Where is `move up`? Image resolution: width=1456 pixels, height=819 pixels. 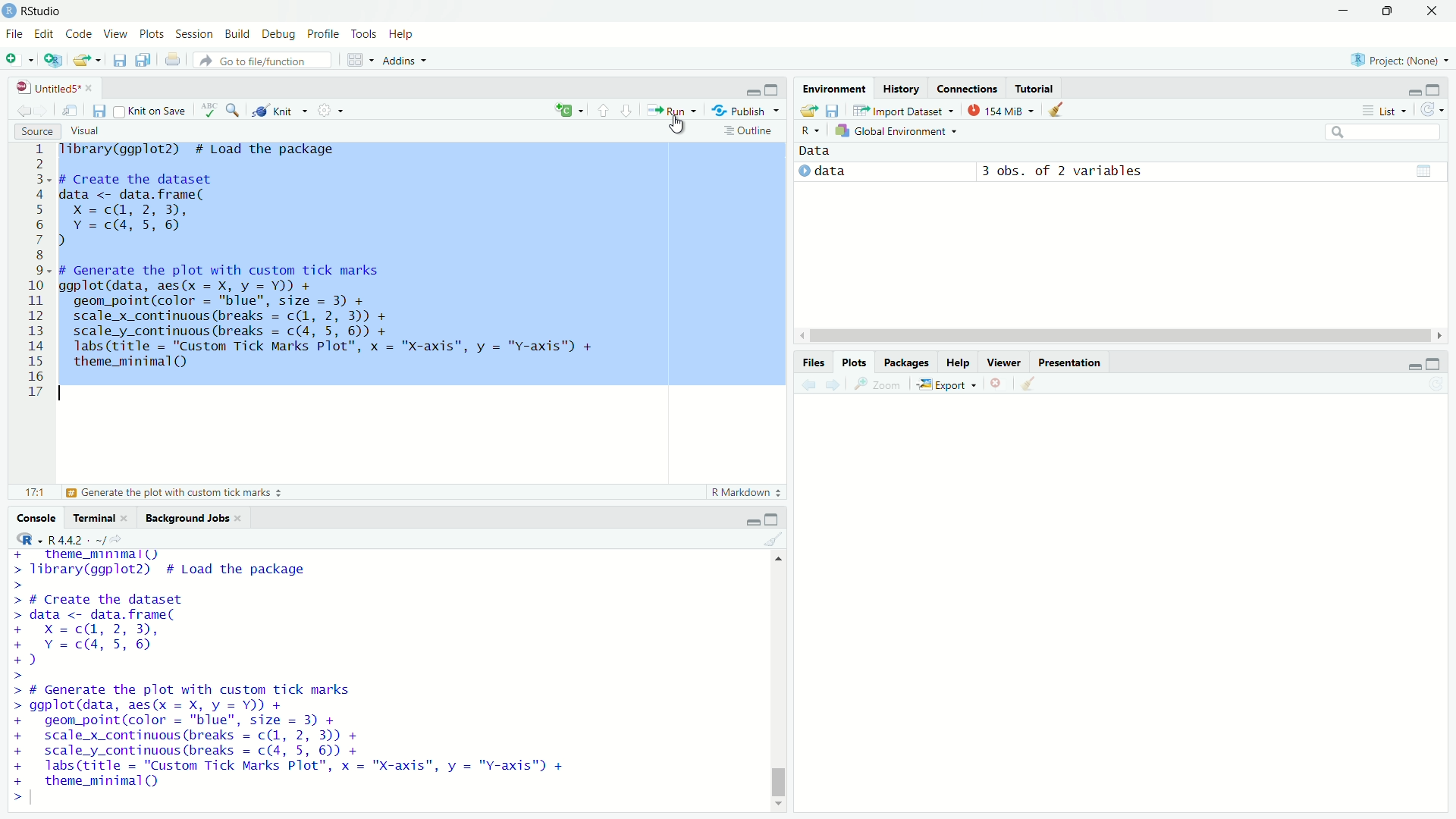 move up is located at coordinates (780, 563).